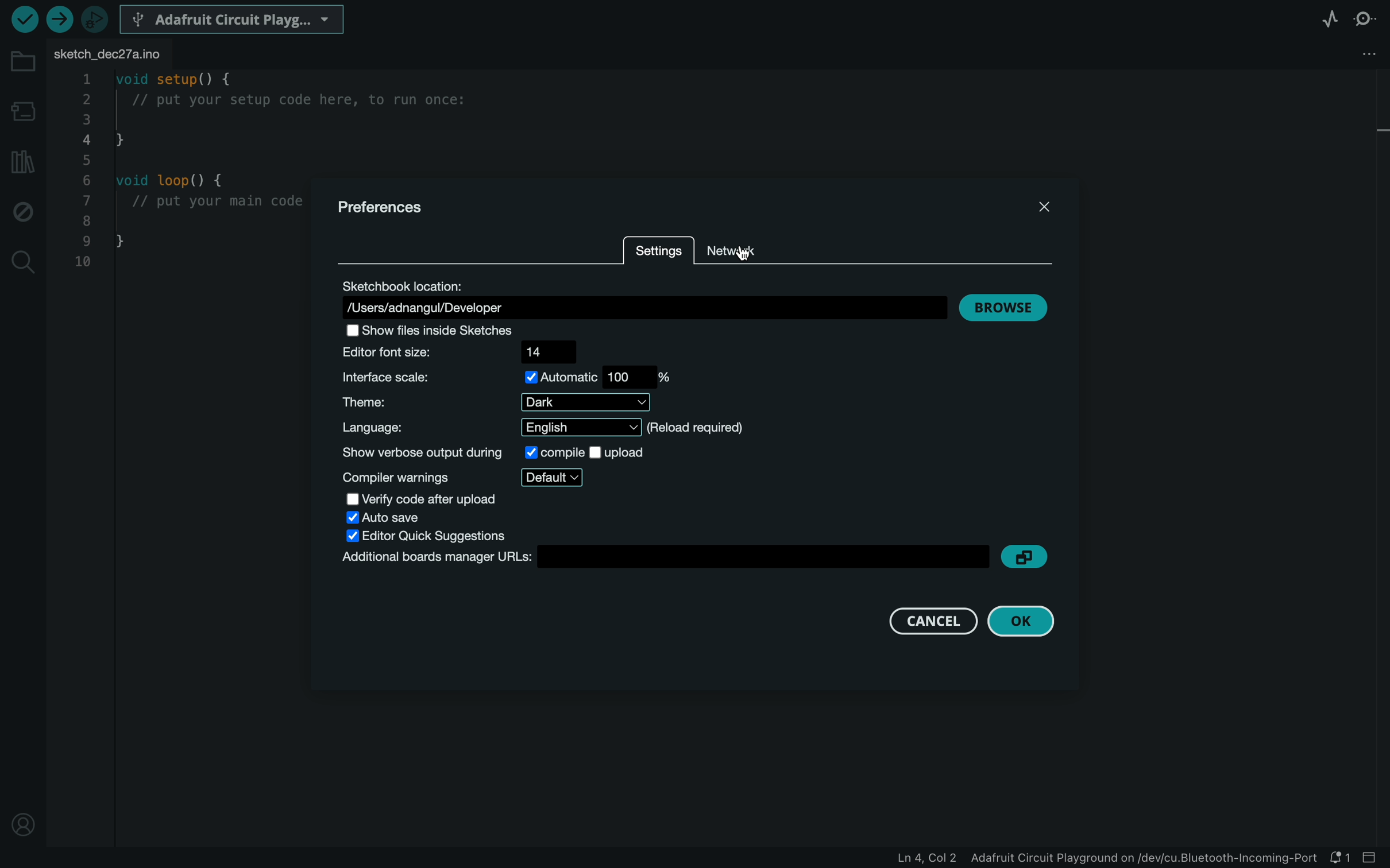  What do you see at coordinates (544, 428) in the screenshot?
I see `language` at bounding box center [544, 428].